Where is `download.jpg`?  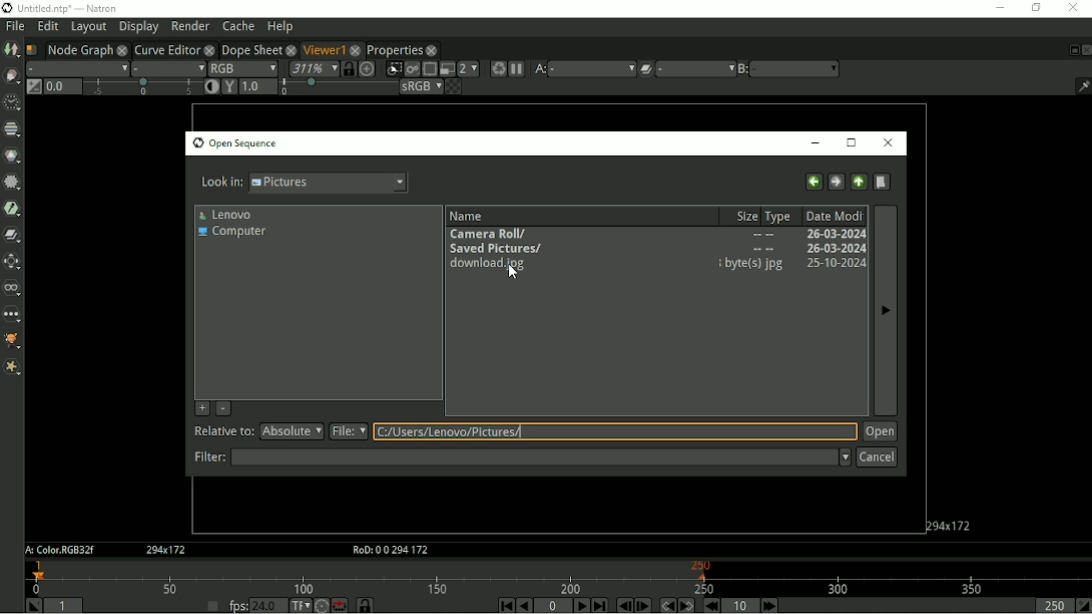 download.jpg is located at coordinates (657, 264).